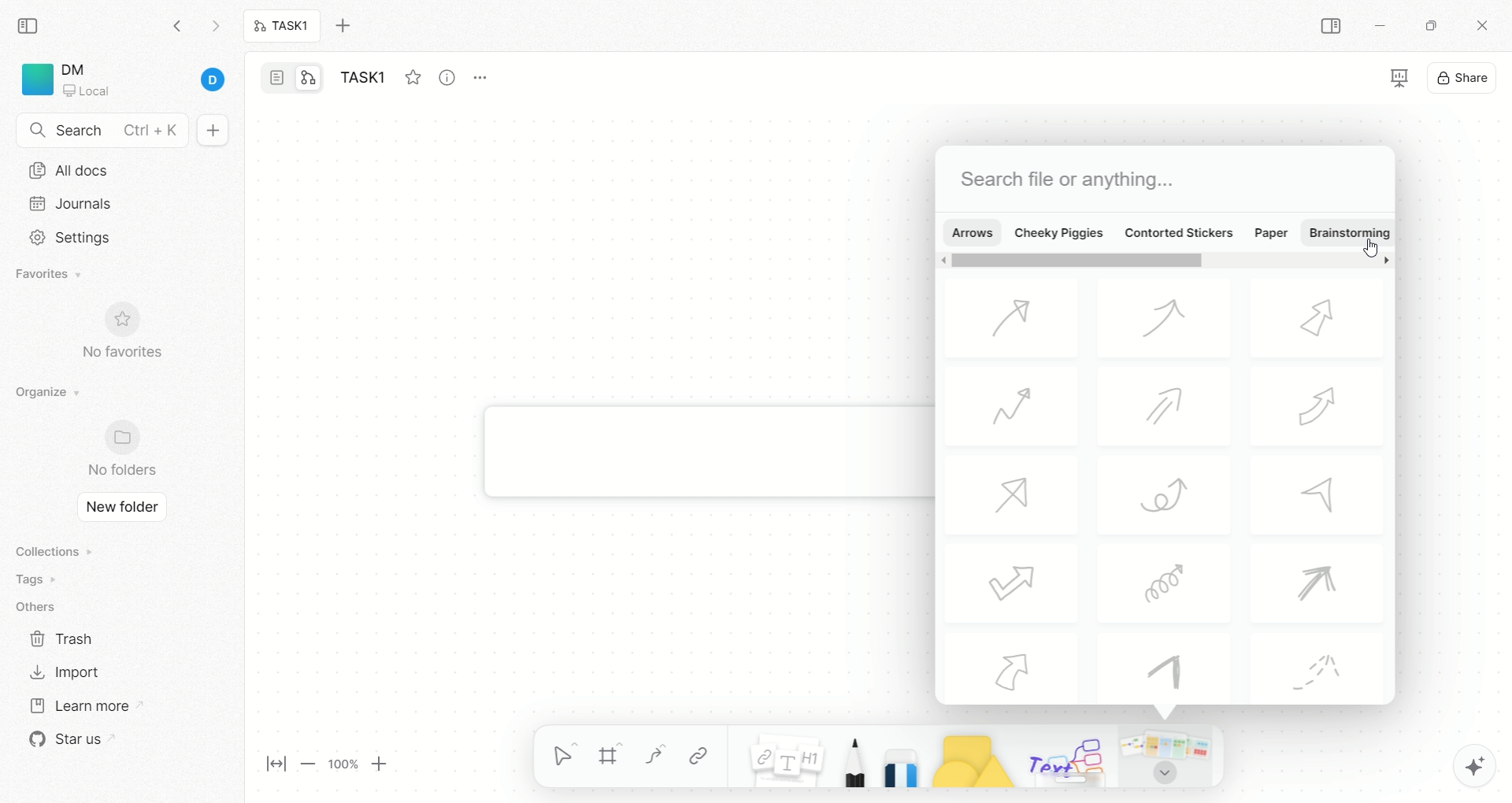  What do you see at coordinates (74, 203) in the screenshot?
I see `journals` at bounding box center [74, 203].